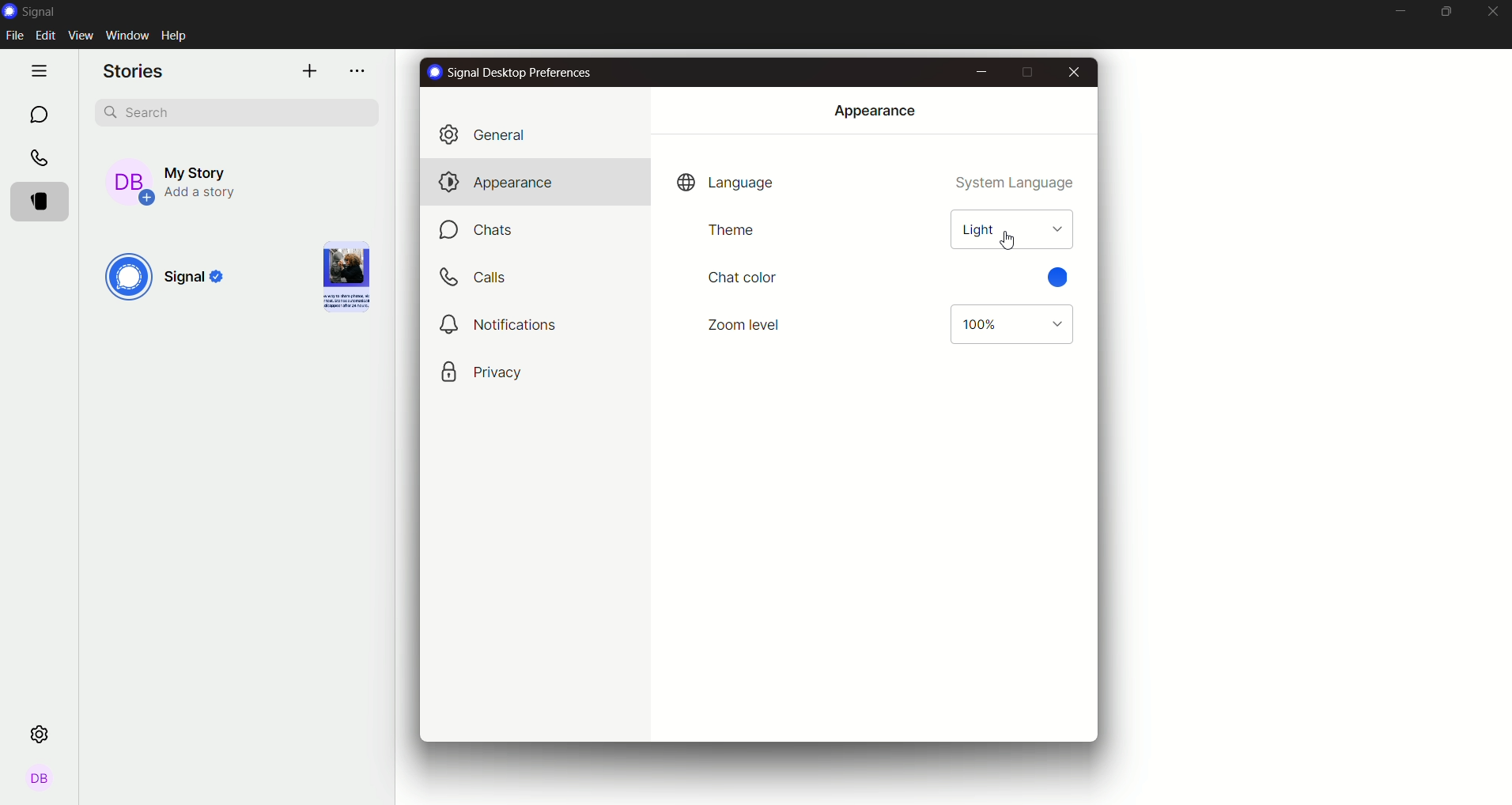  What do you see at coordinates (239, 111) in the screenshot?
I see `search bar` at bounding box center [239, 111].